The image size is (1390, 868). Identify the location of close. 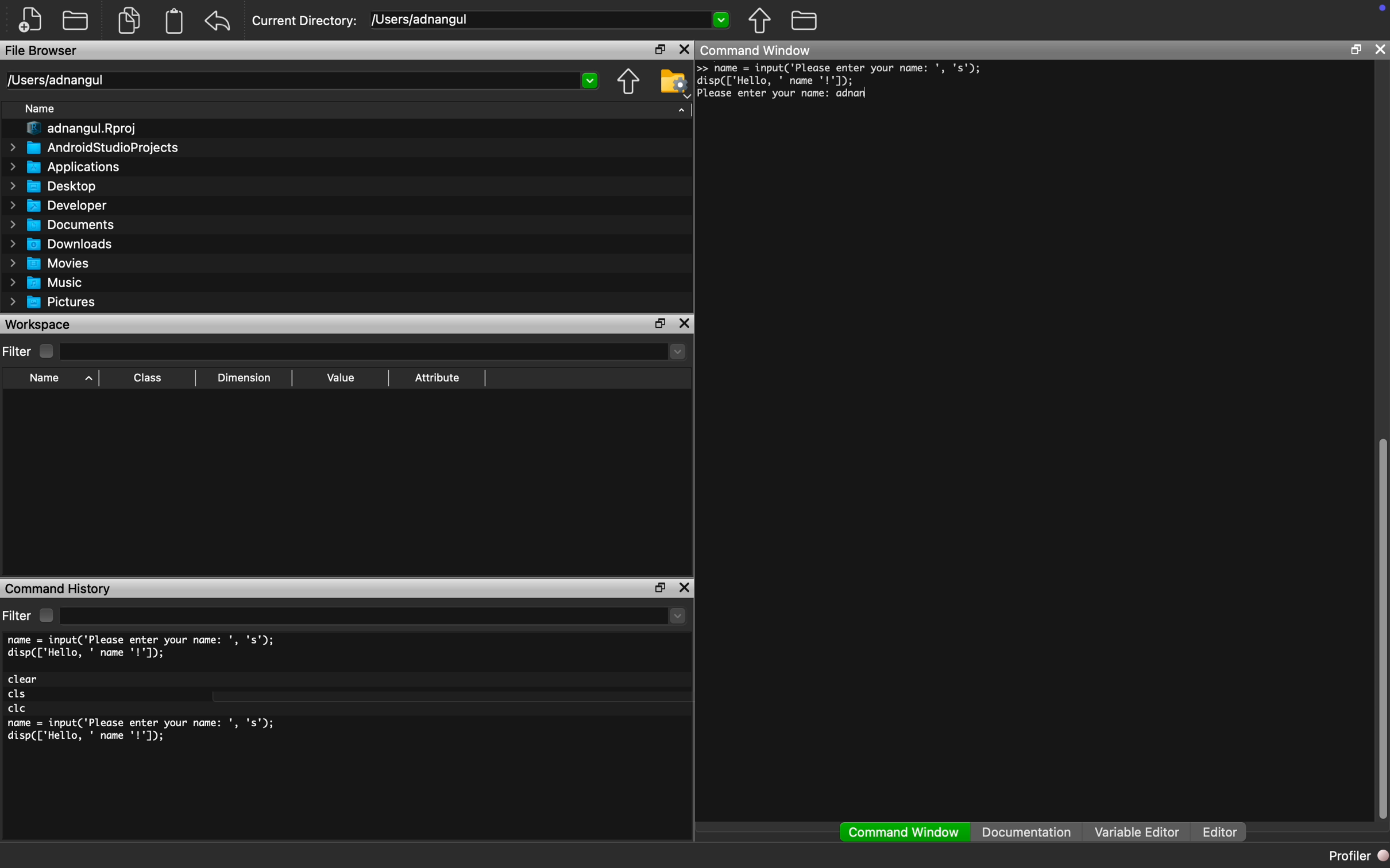
(684, 323).